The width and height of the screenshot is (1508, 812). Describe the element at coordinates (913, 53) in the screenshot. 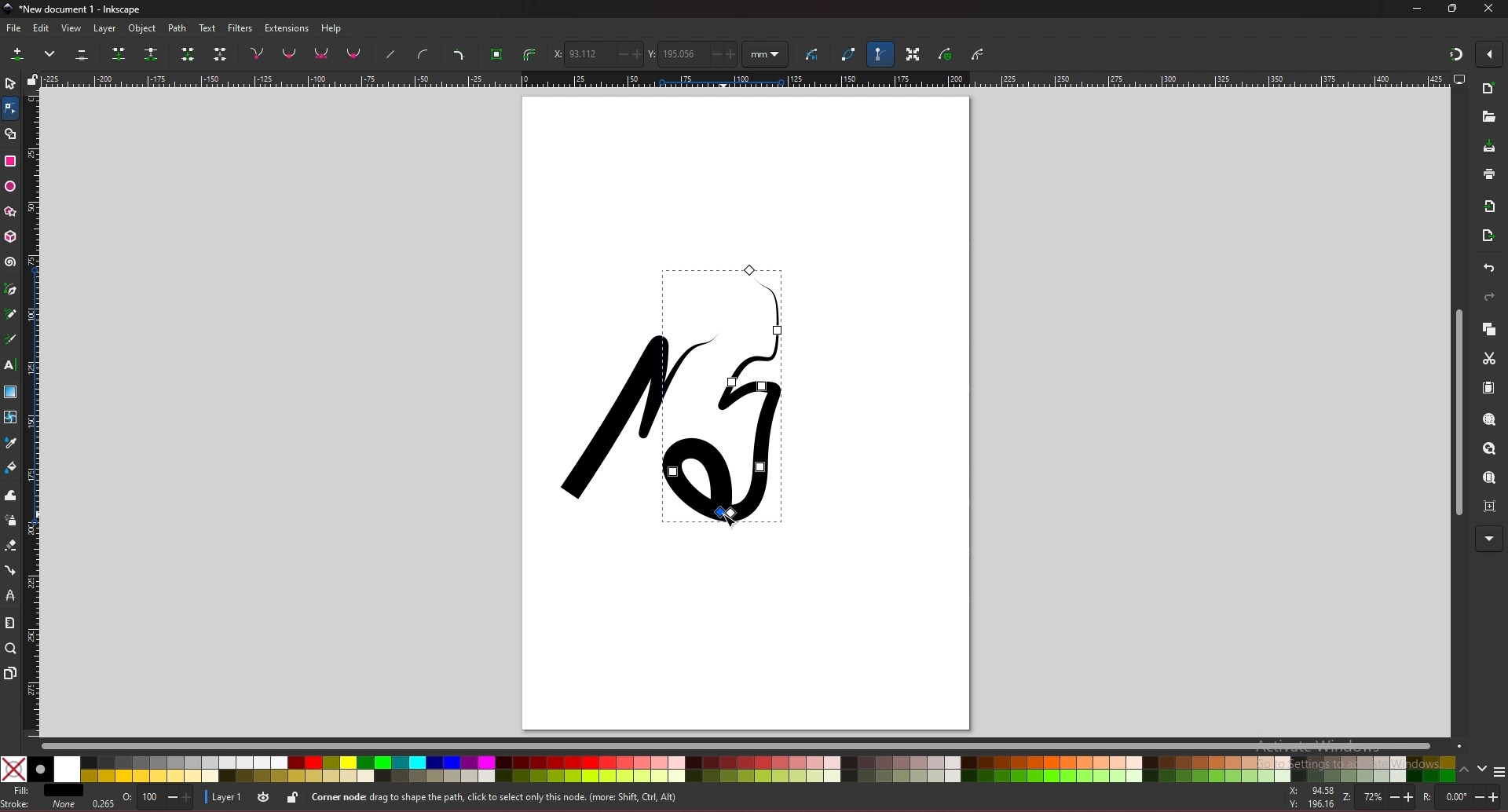

I see `transformation handle` at that location.